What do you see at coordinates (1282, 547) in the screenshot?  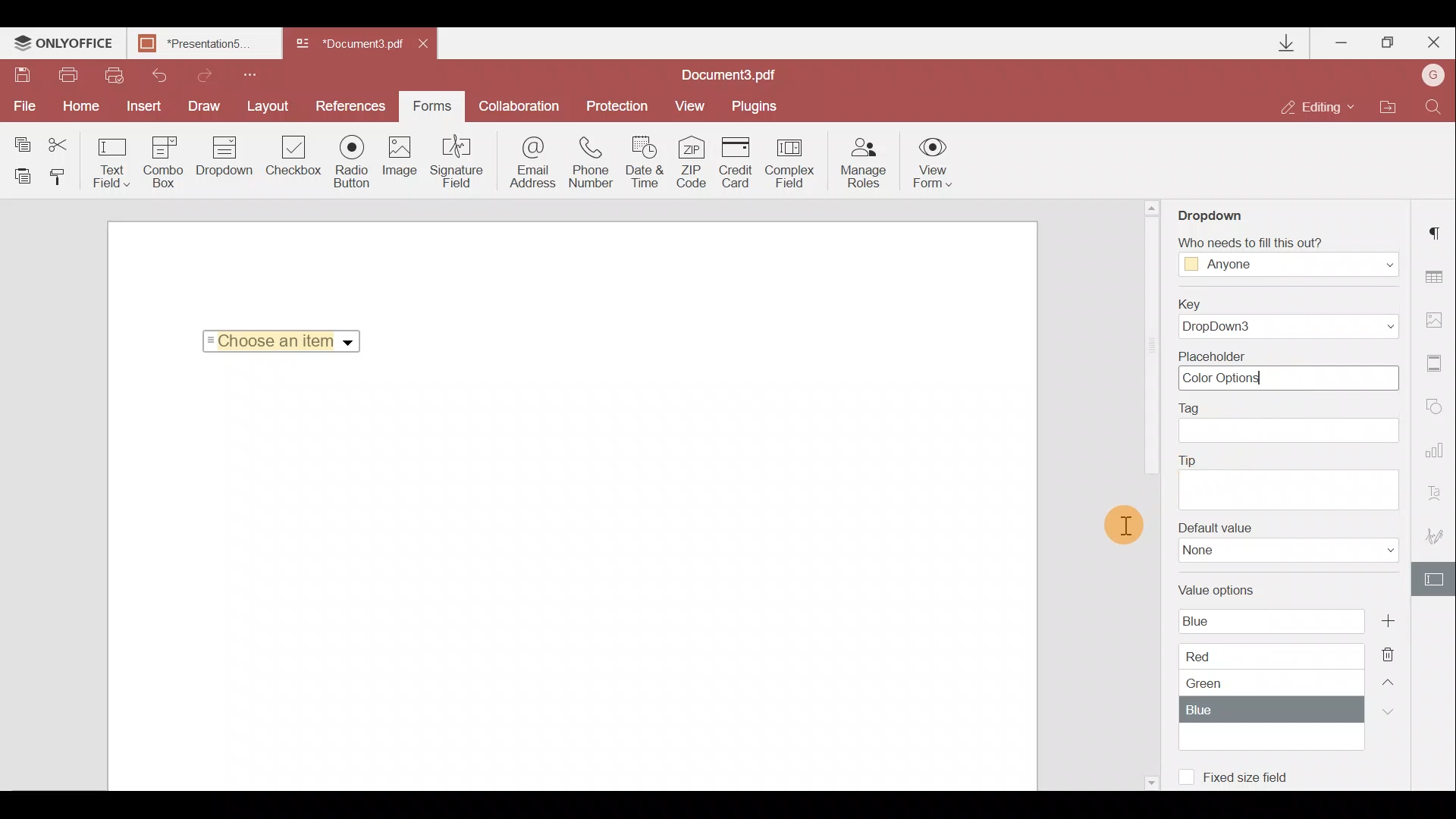 I see `Default value` at bounding box center [1282, 547].